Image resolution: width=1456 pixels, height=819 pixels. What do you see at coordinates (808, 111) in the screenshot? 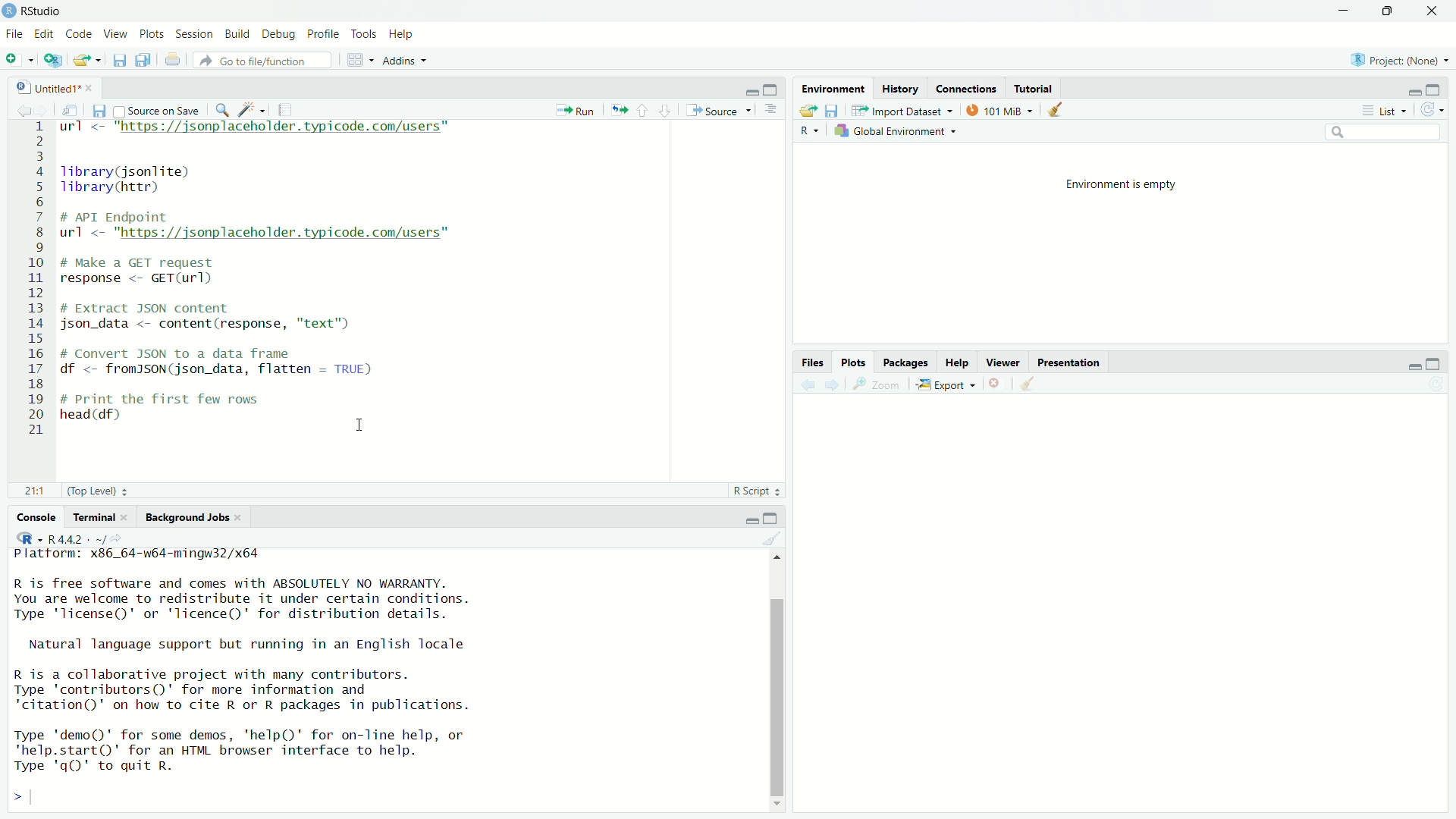
I see `Load` at bounding box center [808, 111].